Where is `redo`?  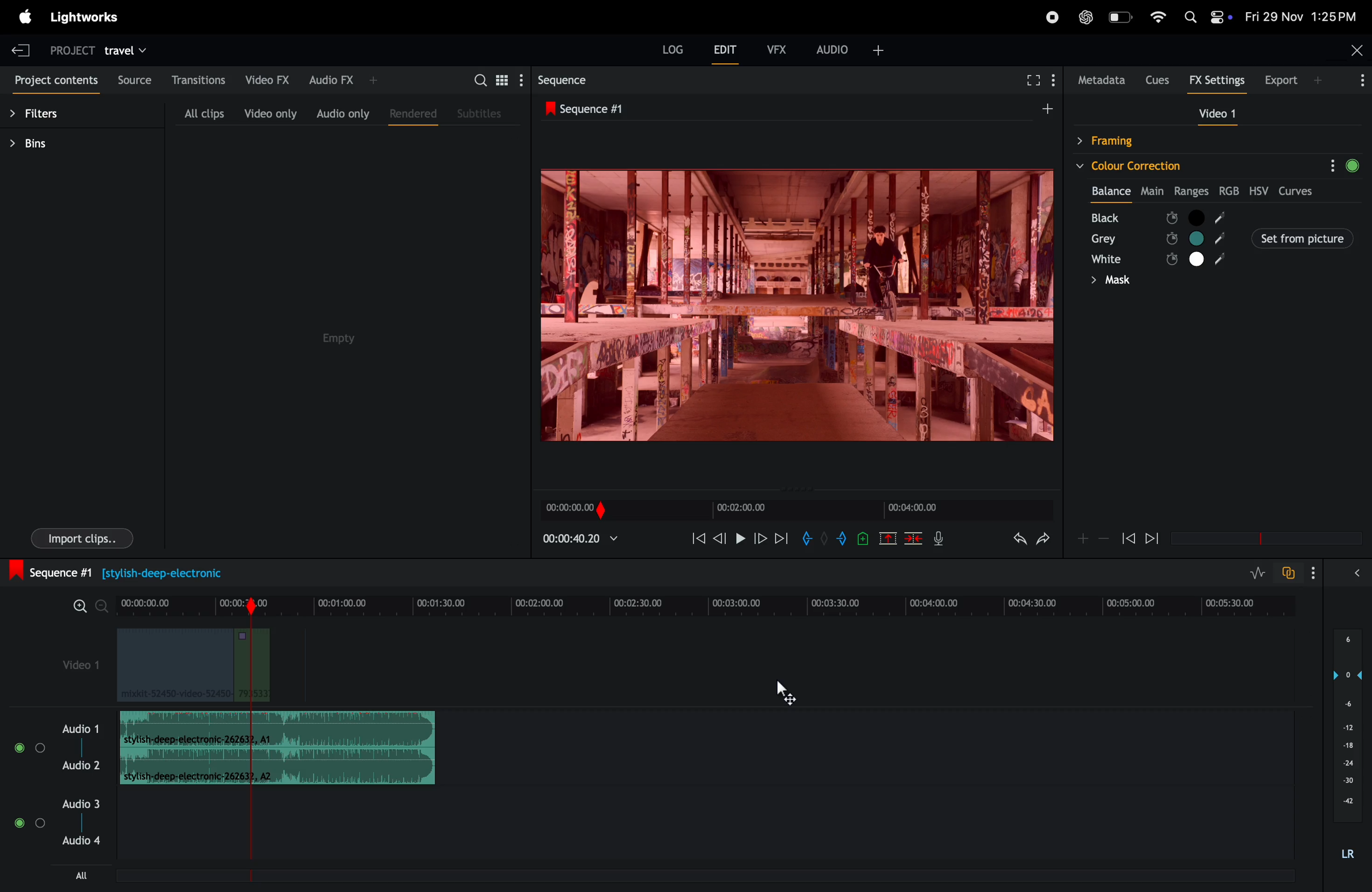
redo is located at coordinates (1046, 538).